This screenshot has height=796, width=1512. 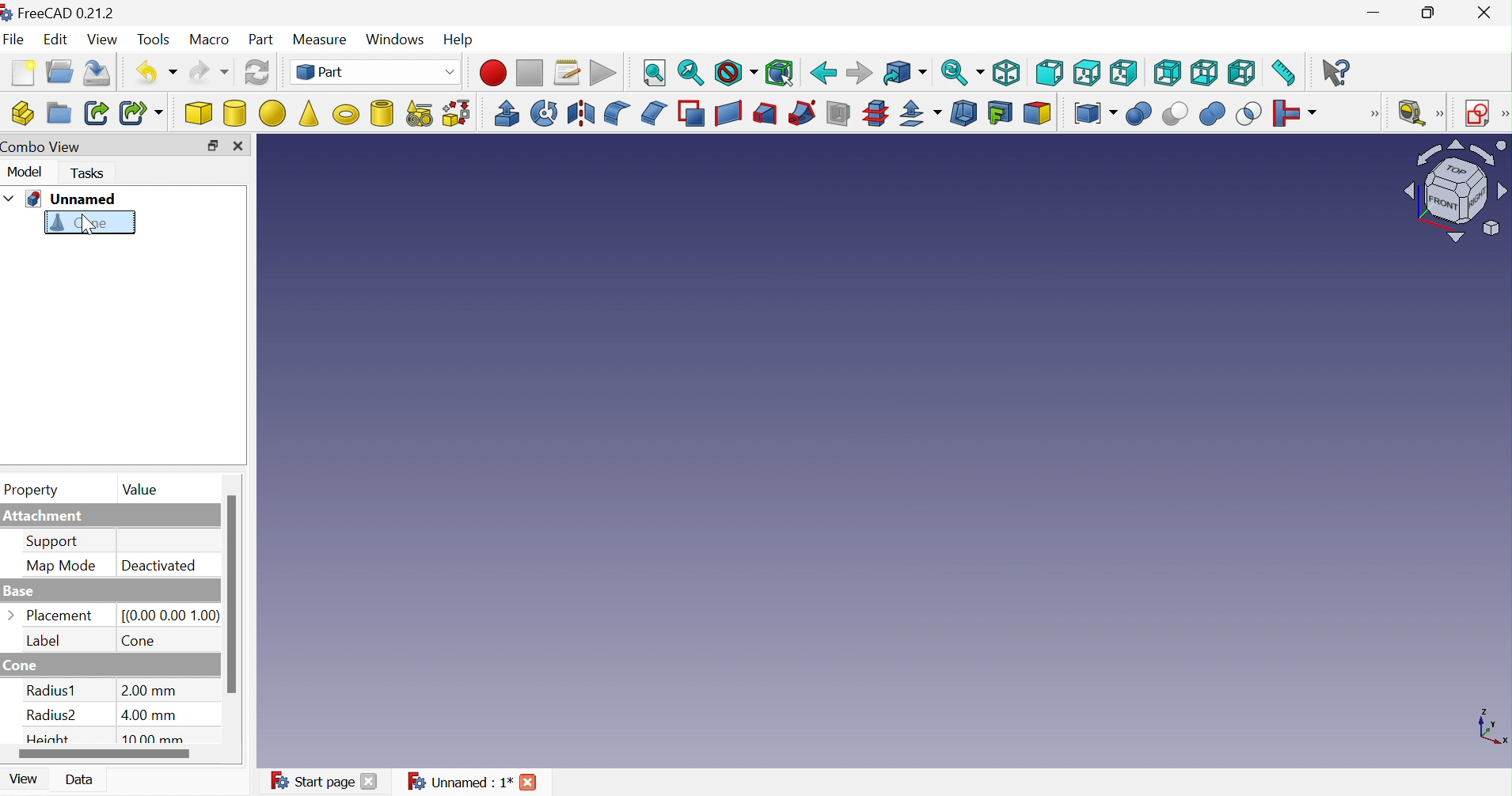 What do you see at coordinates (234, 115) in the screenshot?
I see `Cylinder` at bounding box center [234, 115].